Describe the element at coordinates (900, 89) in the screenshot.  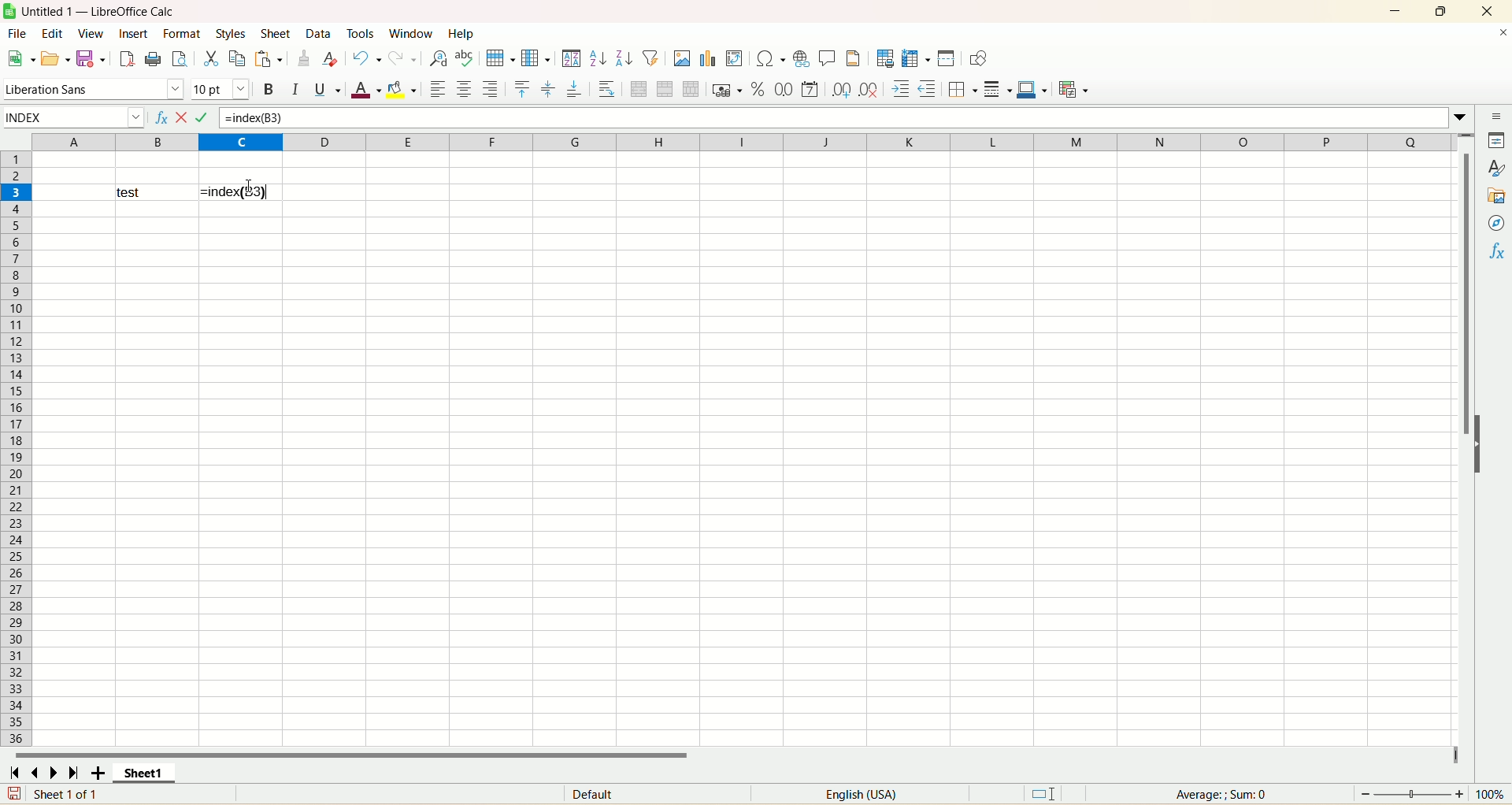
I see `Increase indent` at that location.